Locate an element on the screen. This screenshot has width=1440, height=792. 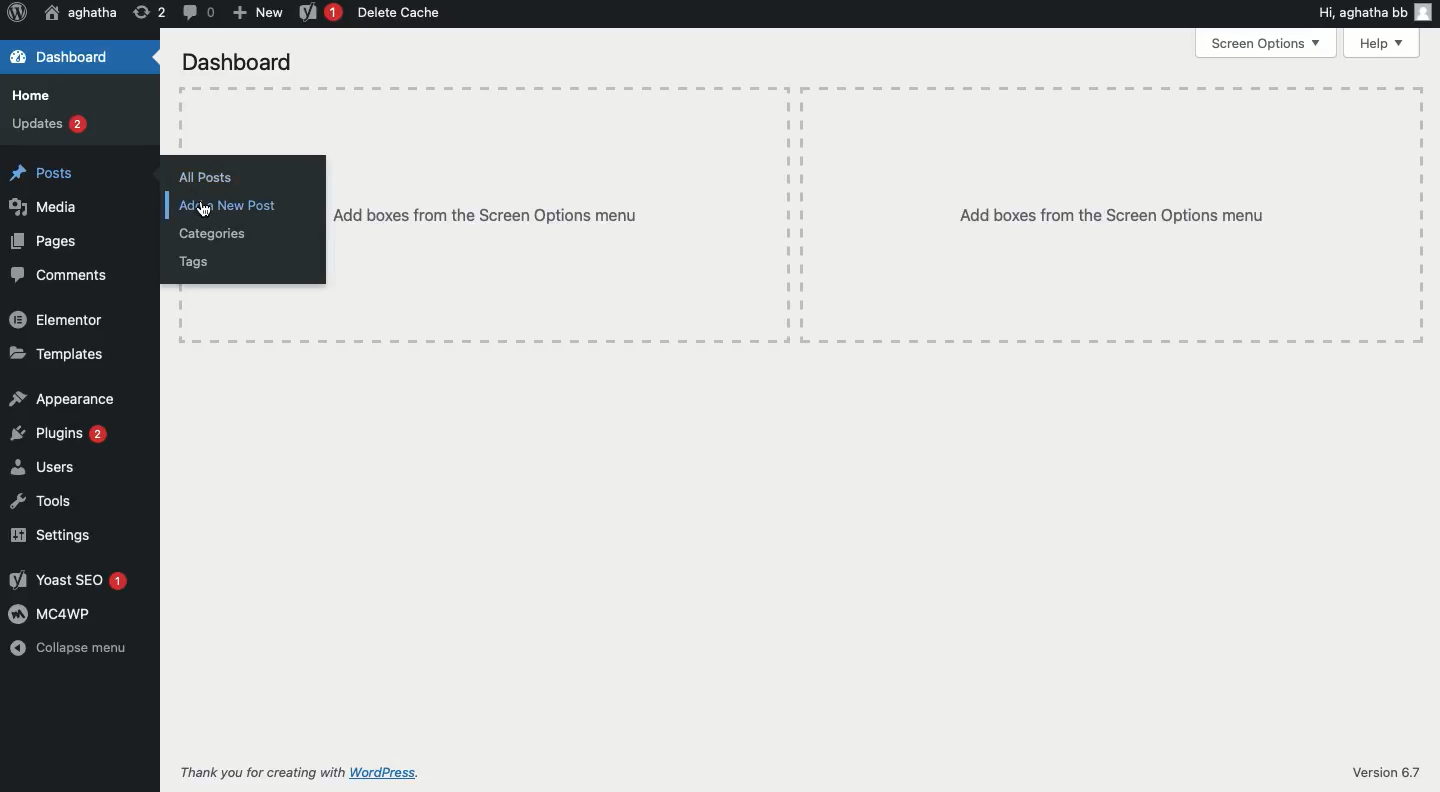
Delete Cache is located at coordinates (399, 14).